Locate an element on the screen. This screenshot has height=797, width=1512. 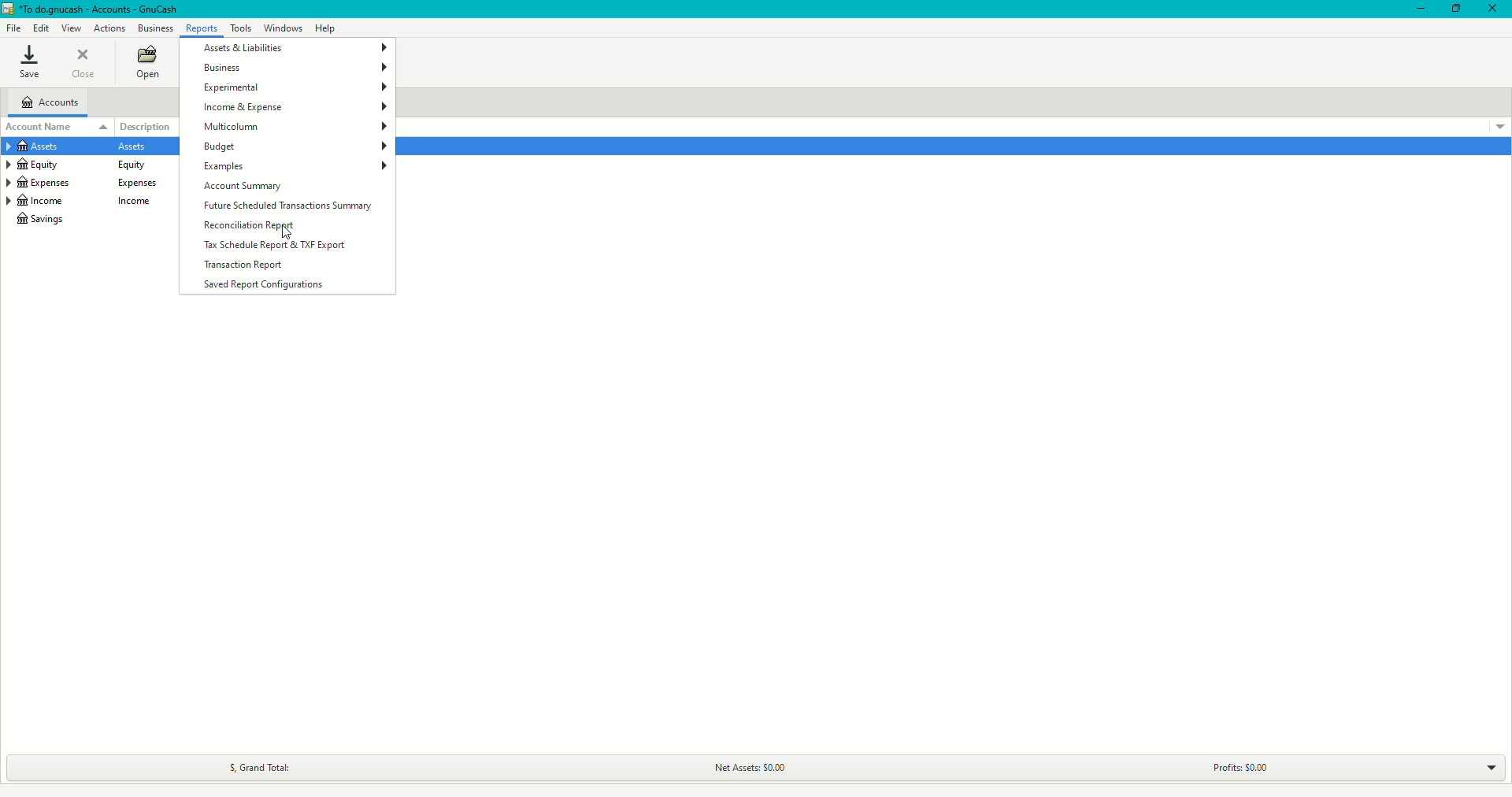
Open is located at coordinates (146, 63).